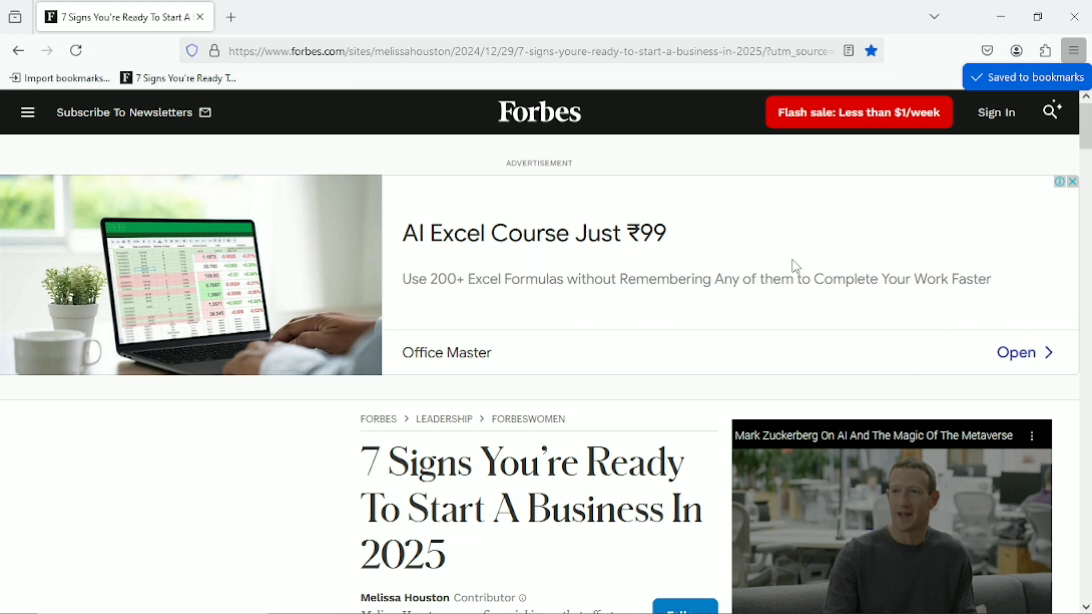 The image size is (1092, 614). I want to click on minimize, so click(1000, 17).